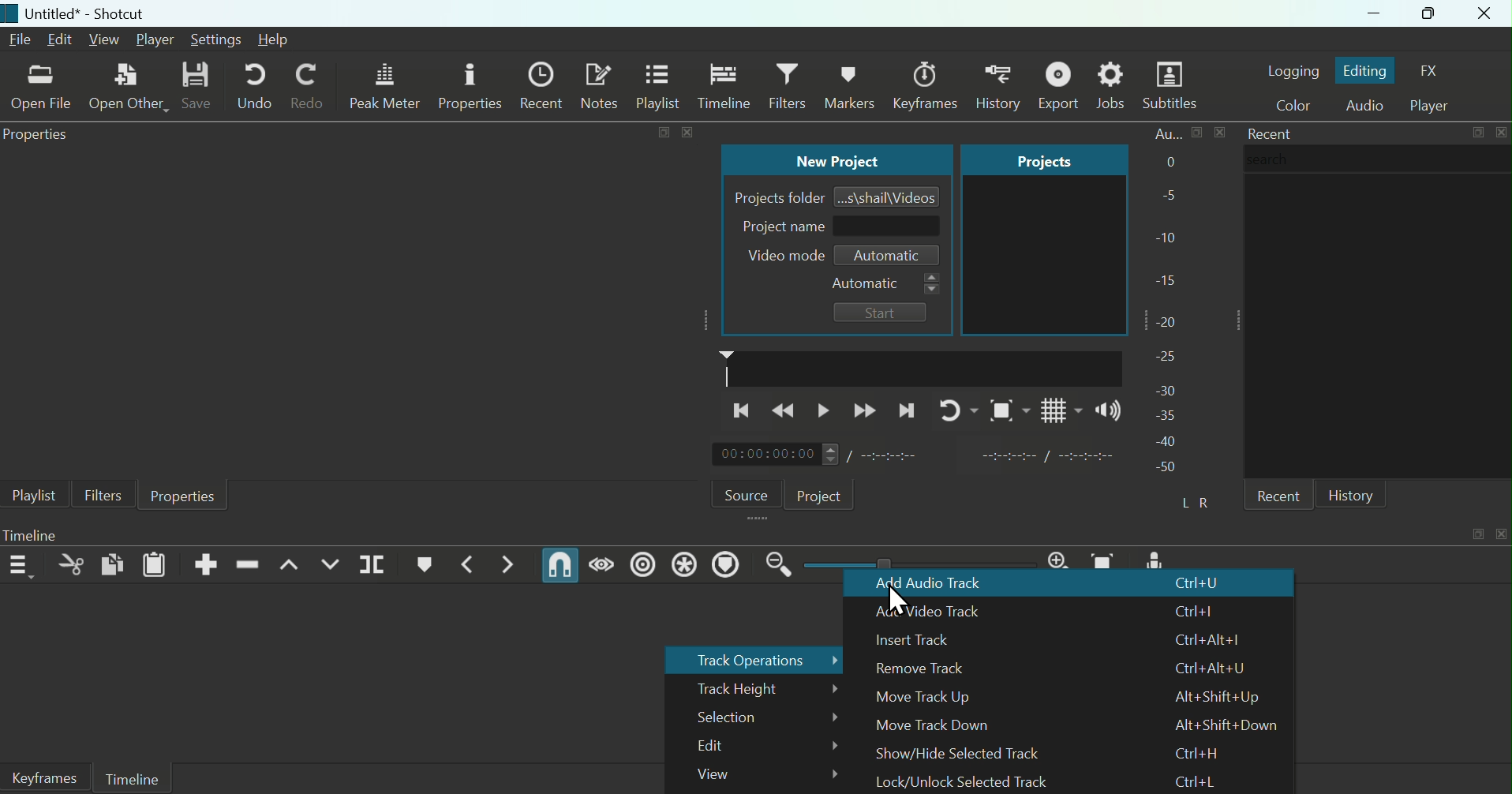 This screenshot has height=794, width=1512. Describe the element at coordinates (922, 367) in the screenshot. I see `timeline` at that location.